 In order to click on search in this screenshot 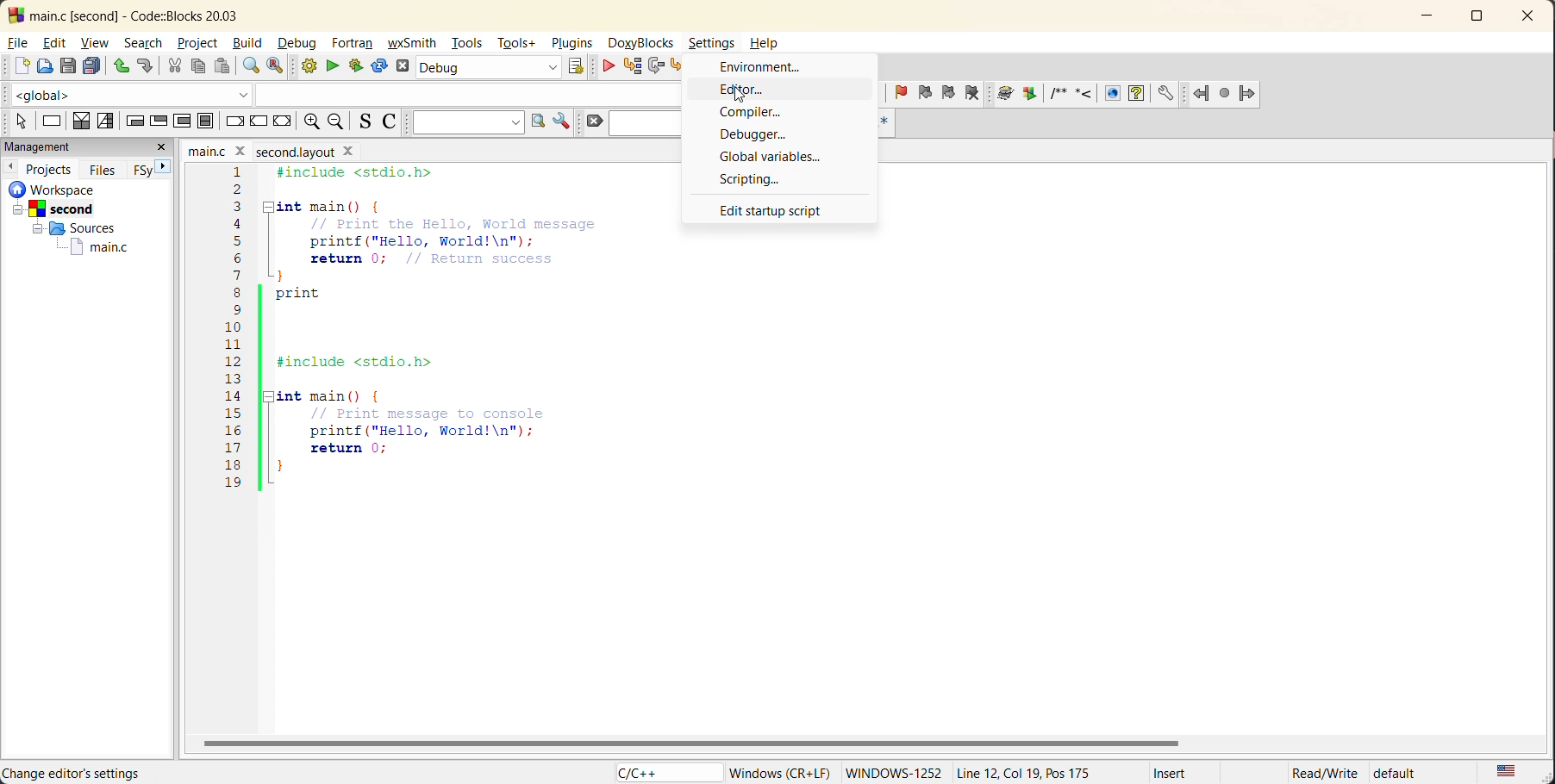, I will do `click(146, 42)`.